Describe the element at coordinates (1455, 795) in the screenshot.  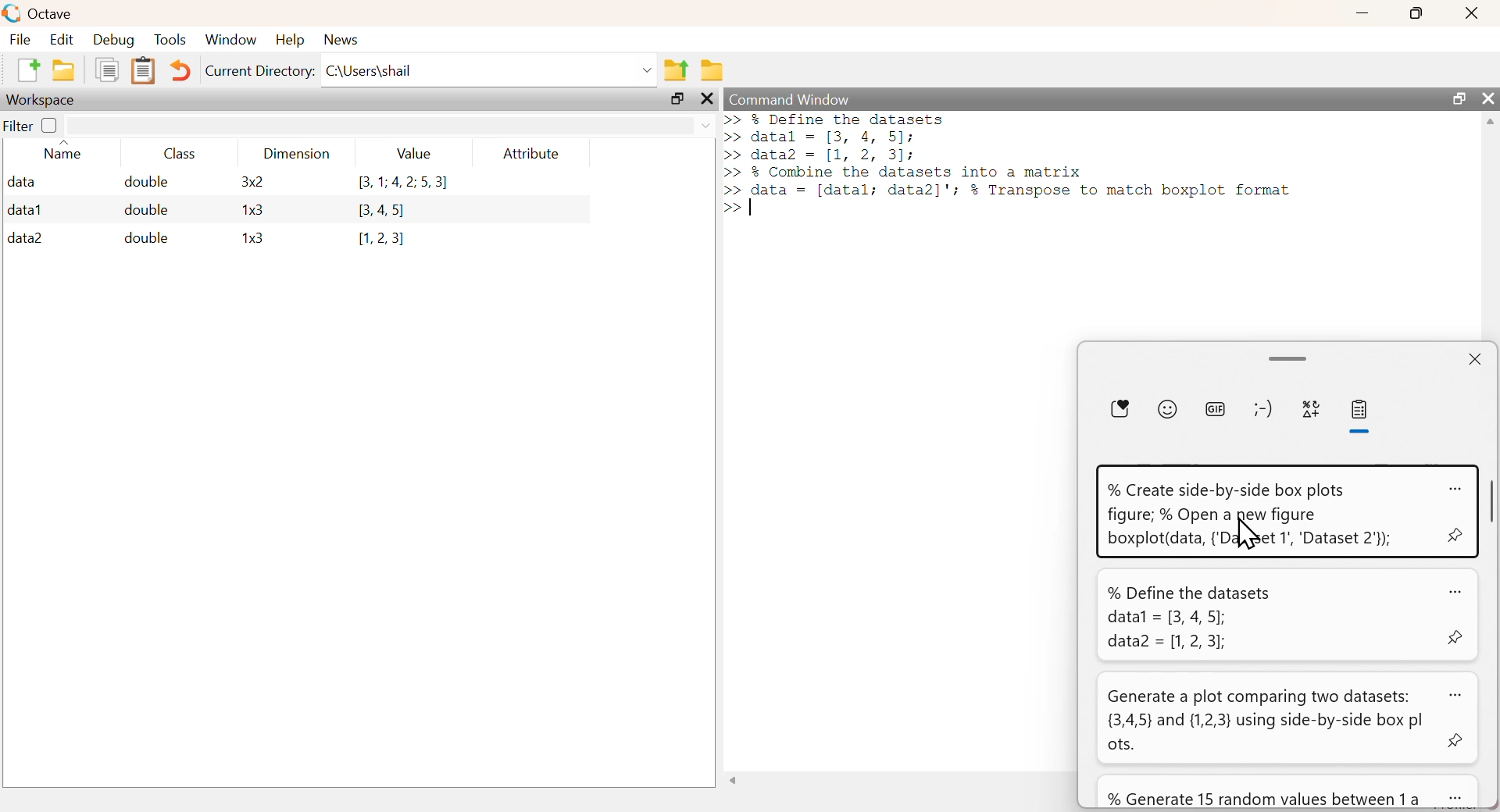
I see `more options` at that location.